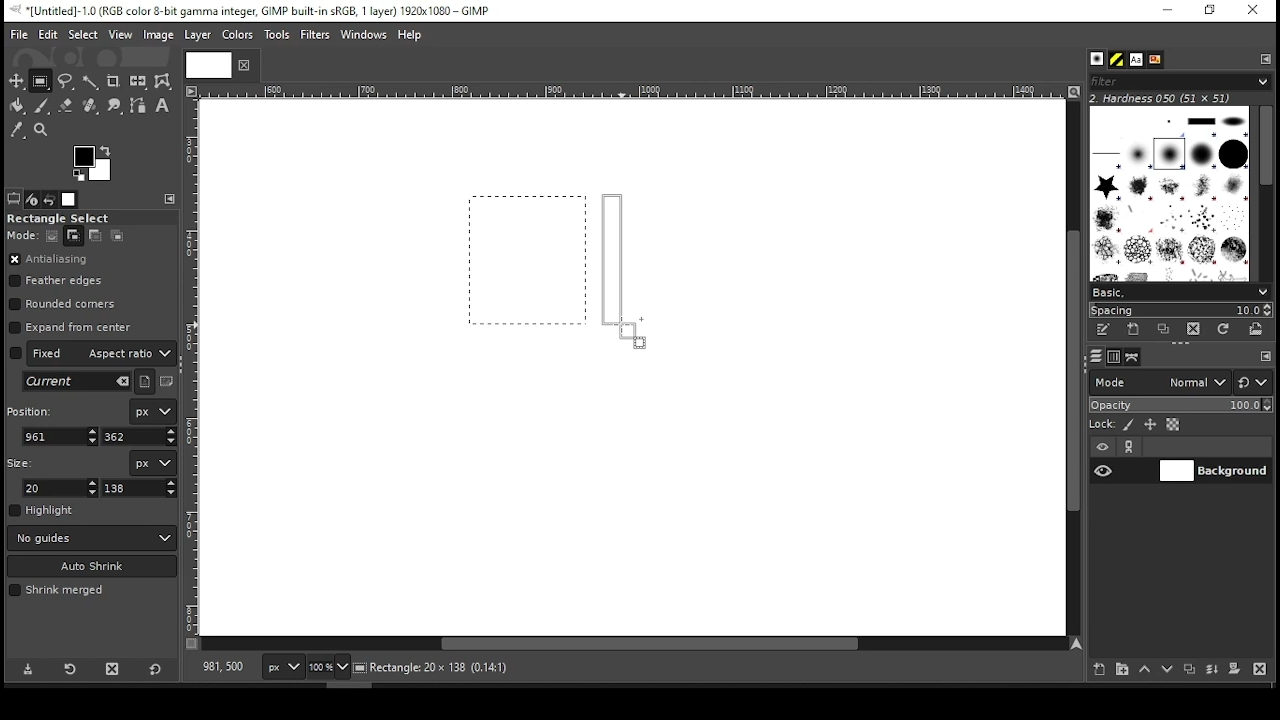 The width and height of the screenshot is (1280, 720). I want to click on lock size and positioning, so click(1152, 425).